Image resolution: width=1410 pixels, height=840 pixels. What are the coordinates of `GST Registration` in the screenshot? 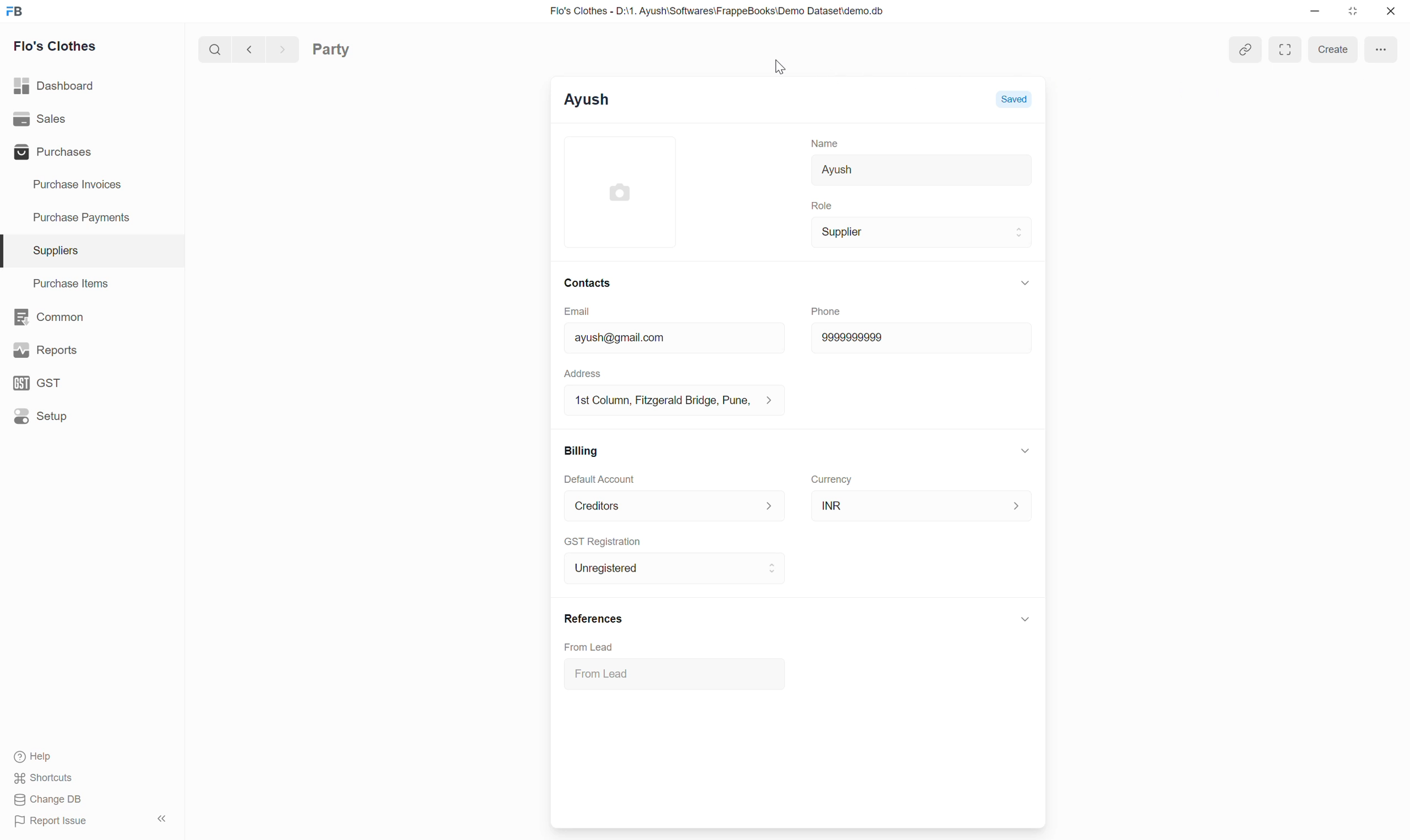 It's located at (603, 542).